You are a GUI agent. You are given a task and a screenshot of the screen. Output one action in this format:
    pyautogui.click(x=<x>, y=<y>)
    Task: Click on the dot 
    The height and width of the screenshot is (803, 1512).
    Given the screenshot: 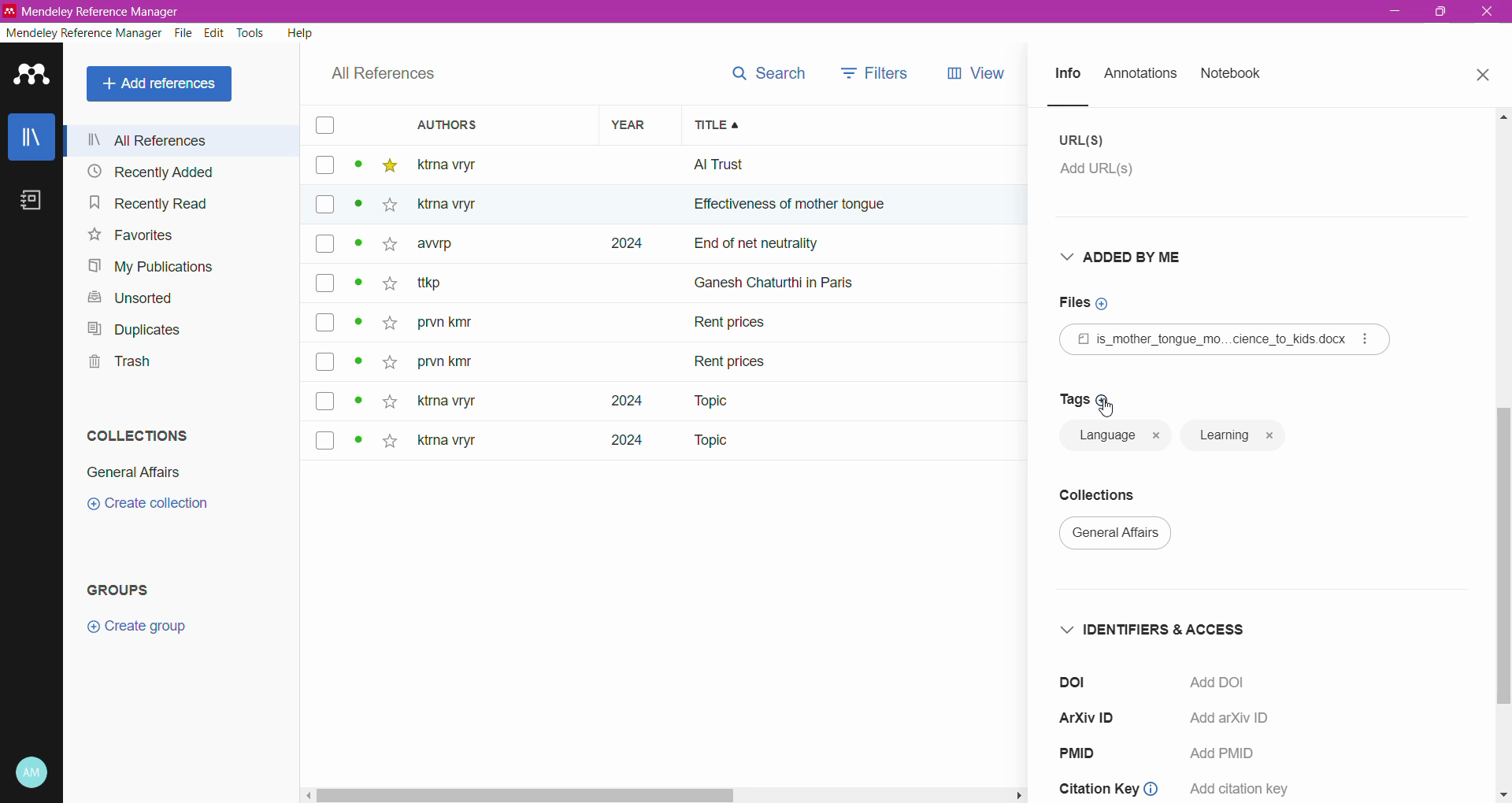 What is the action you would take?
    pyautogui.click(x=357, y=168)
    